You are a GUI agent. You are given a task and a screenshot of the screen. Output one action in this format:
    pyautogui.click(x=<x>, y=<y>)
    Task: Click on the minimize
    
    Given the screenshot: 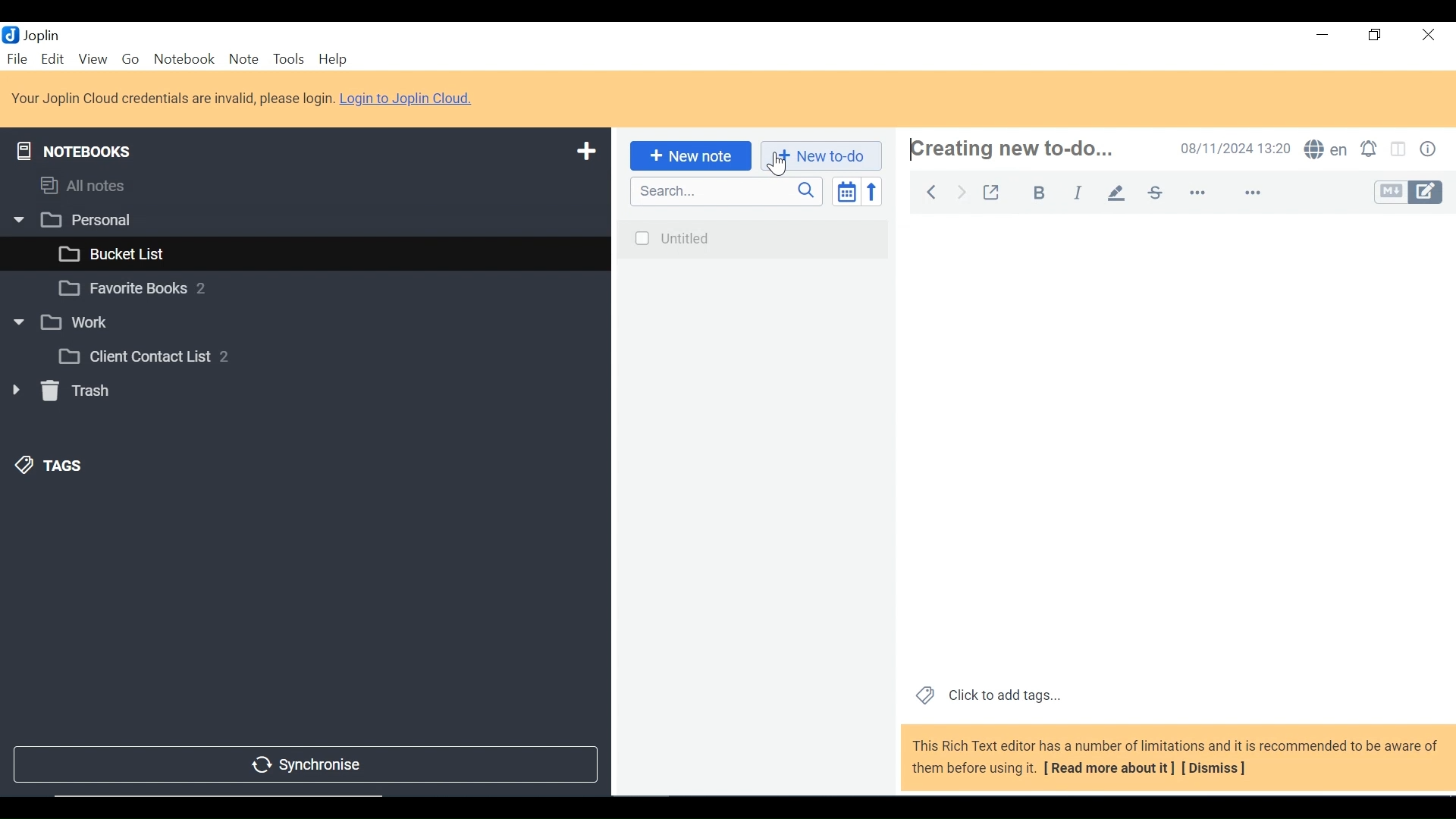 What is the action you would take?
    pyautogui.click(x=1323, y=37)
    